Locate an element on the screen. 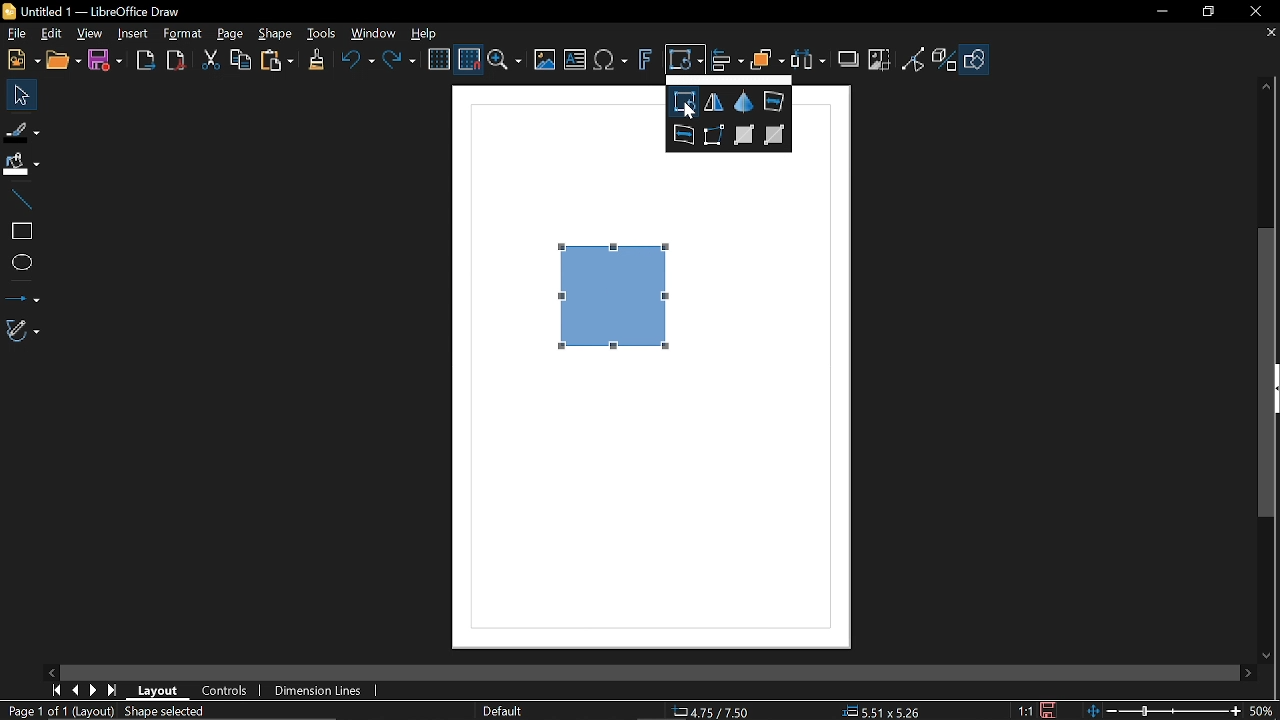 The image size is (1280, 720). Export is located at coordinates (142, 60).